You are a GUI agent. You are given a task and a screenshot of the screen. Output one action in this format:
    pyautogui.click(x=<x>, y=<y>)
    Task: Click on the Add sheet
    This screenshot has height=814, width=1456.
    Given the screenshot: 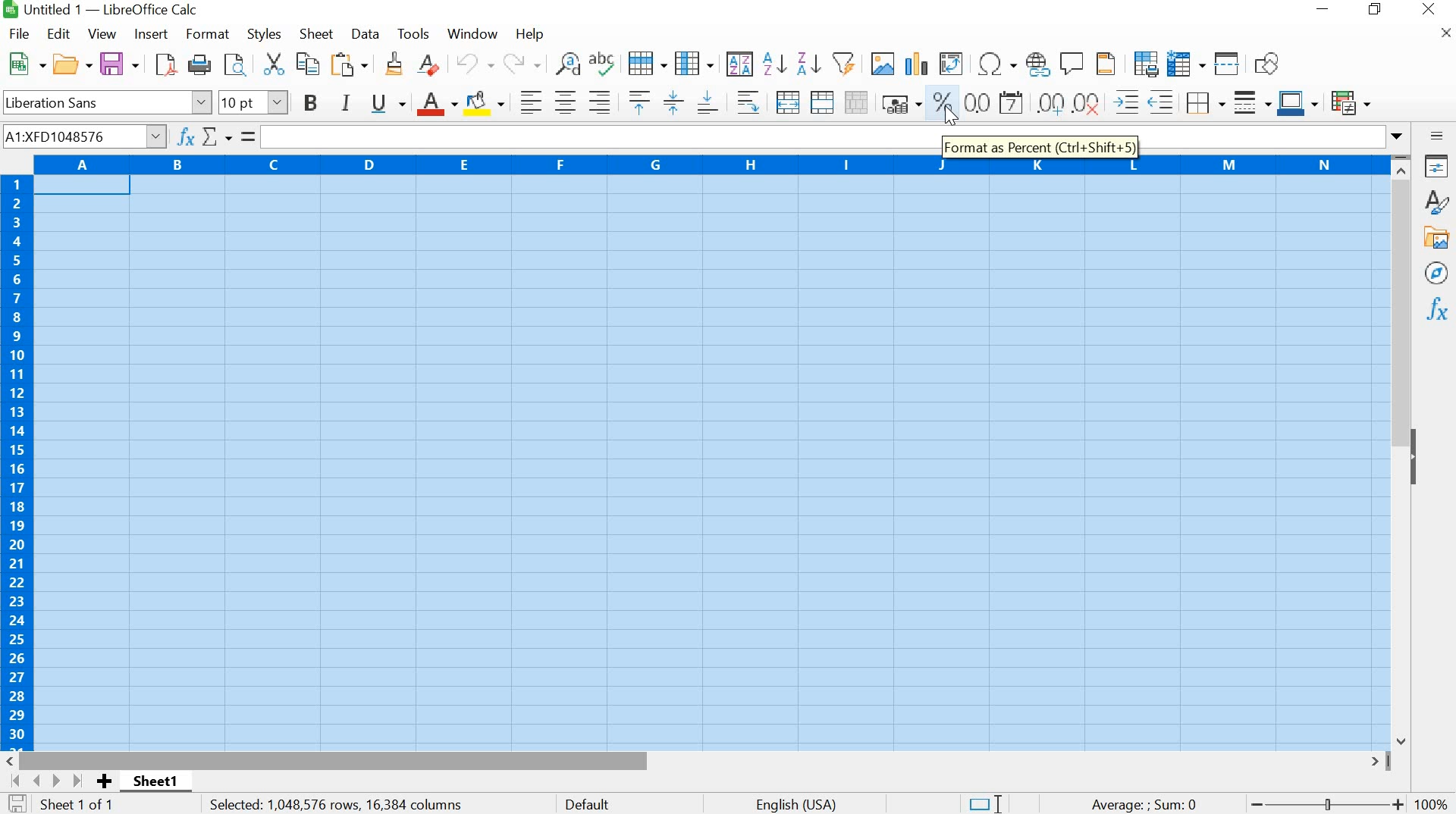 What is the action you would take?
    pyautogui.click(x=108, y=781)
    